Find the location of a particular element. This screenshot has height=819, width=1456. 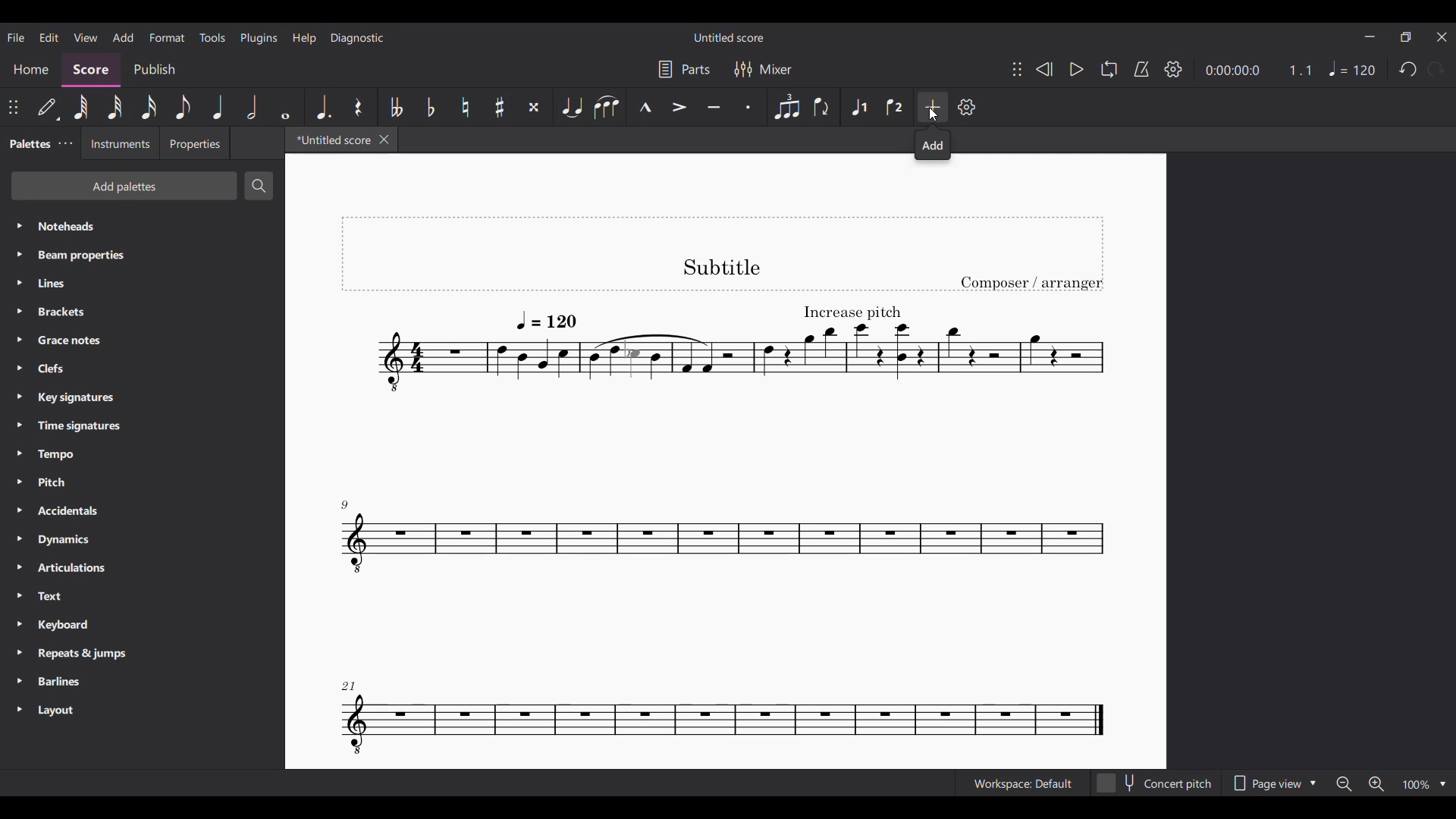

Key signatures is located at coordinates (143, 397).